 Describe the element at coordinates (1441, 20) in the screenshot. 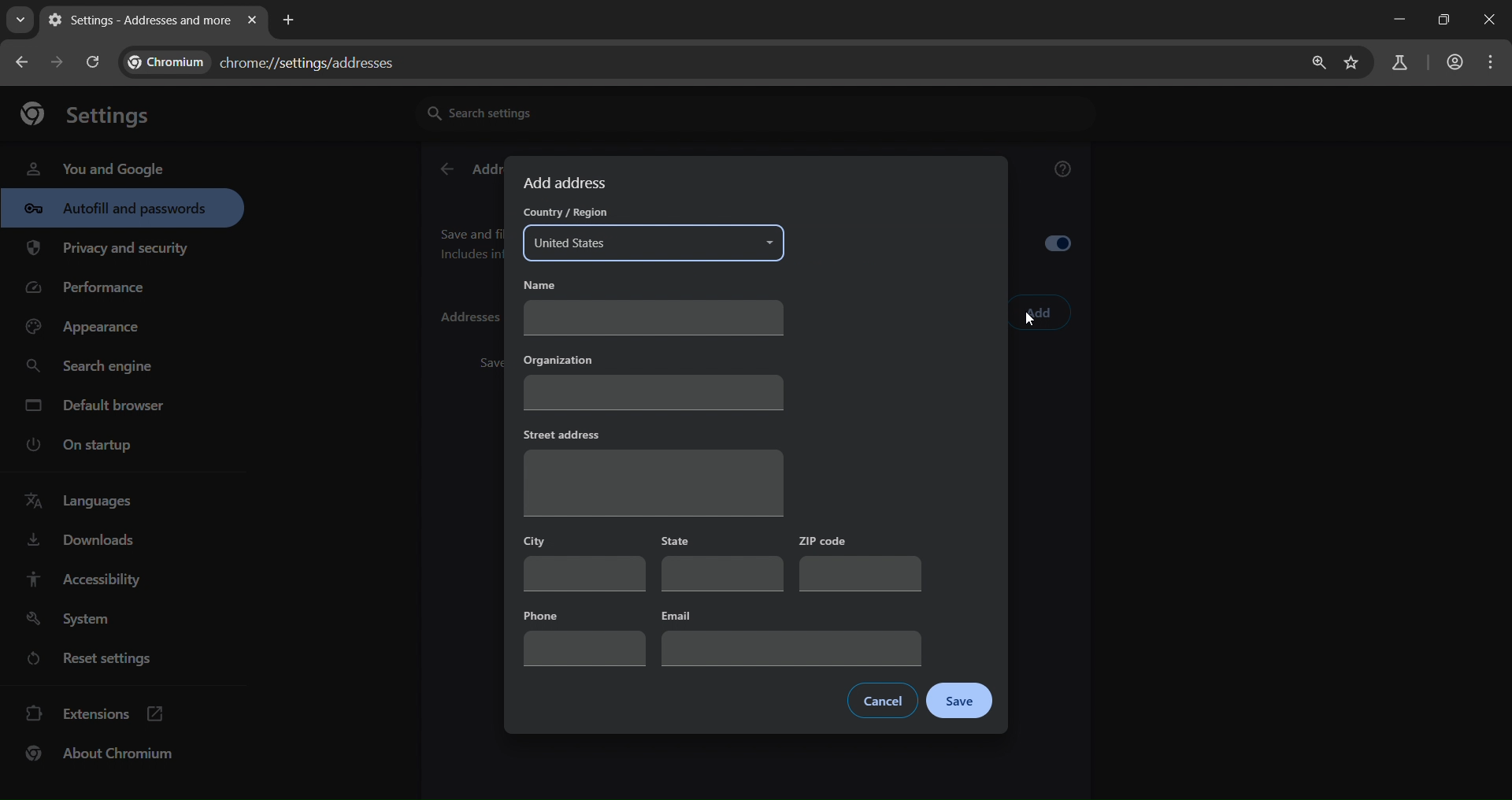

I see `restore down` at that location.